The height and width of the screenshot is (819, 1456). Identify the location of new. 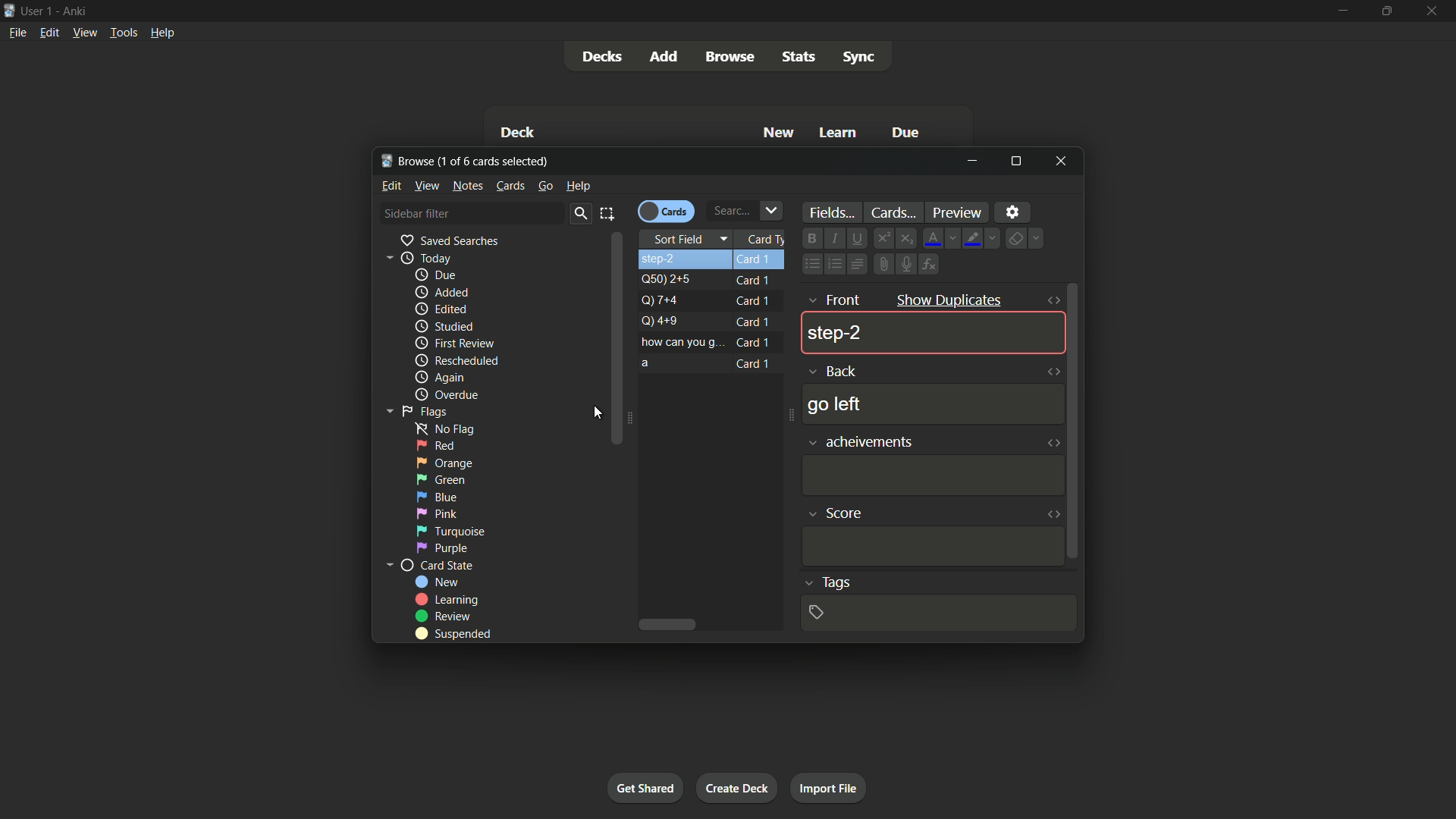
(438, 582).